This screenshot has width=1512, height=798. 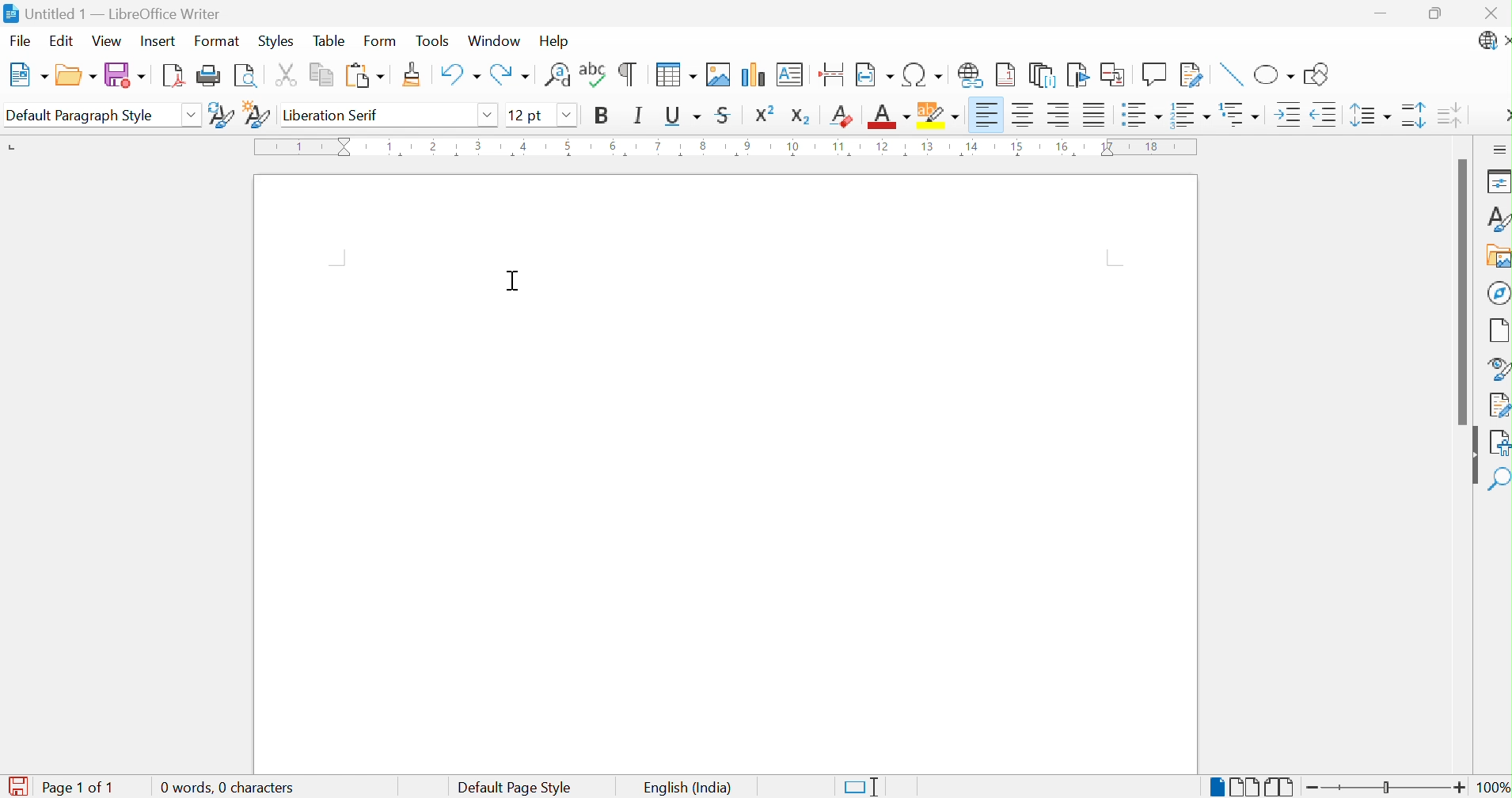 What do you see at coordinates (527, 113) in the screenshot?
I see `12 pt` at bounding box center [527, 113].